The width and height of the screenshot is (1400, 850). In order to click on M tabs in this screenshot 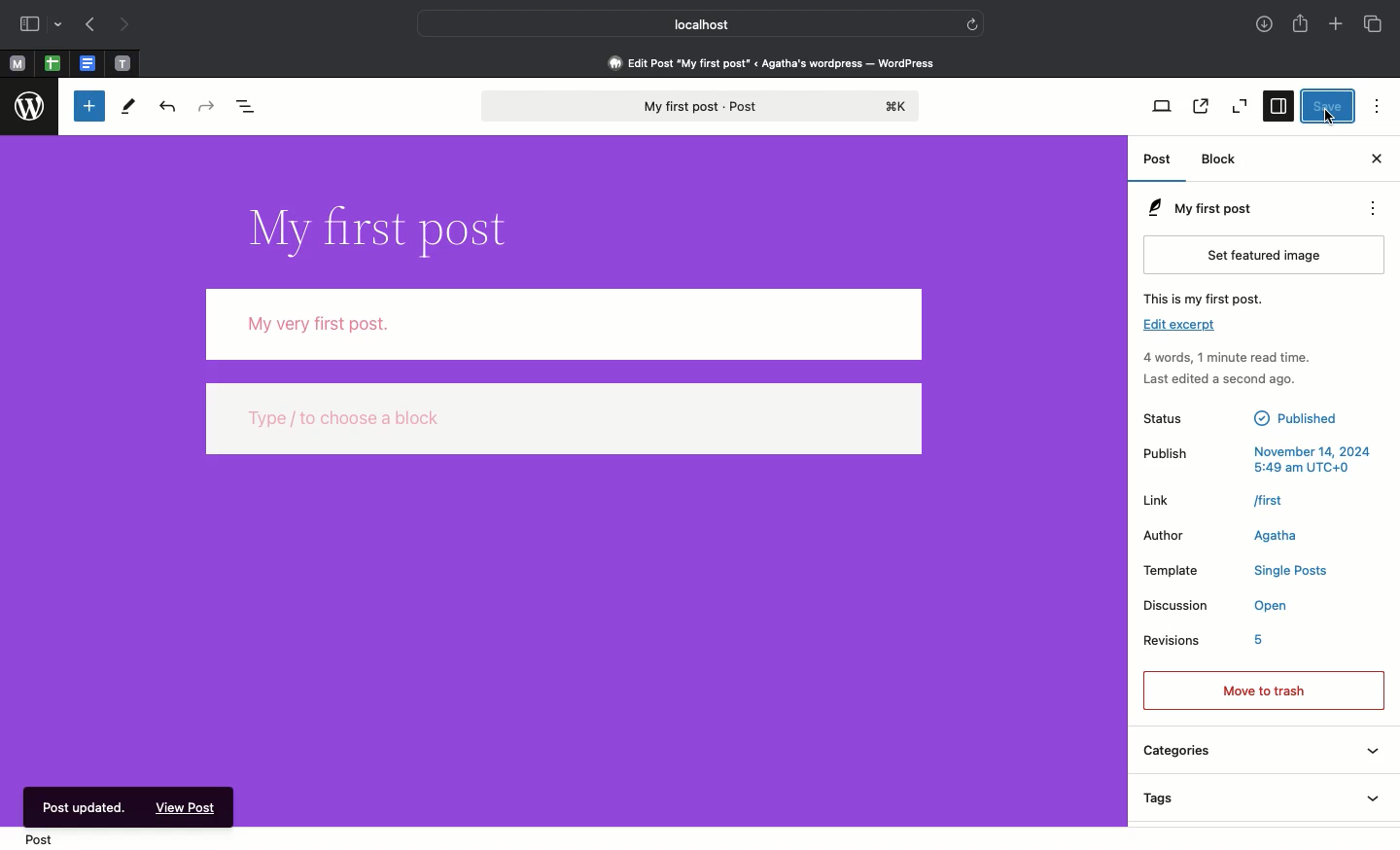, I will do `click(15, 62)`.